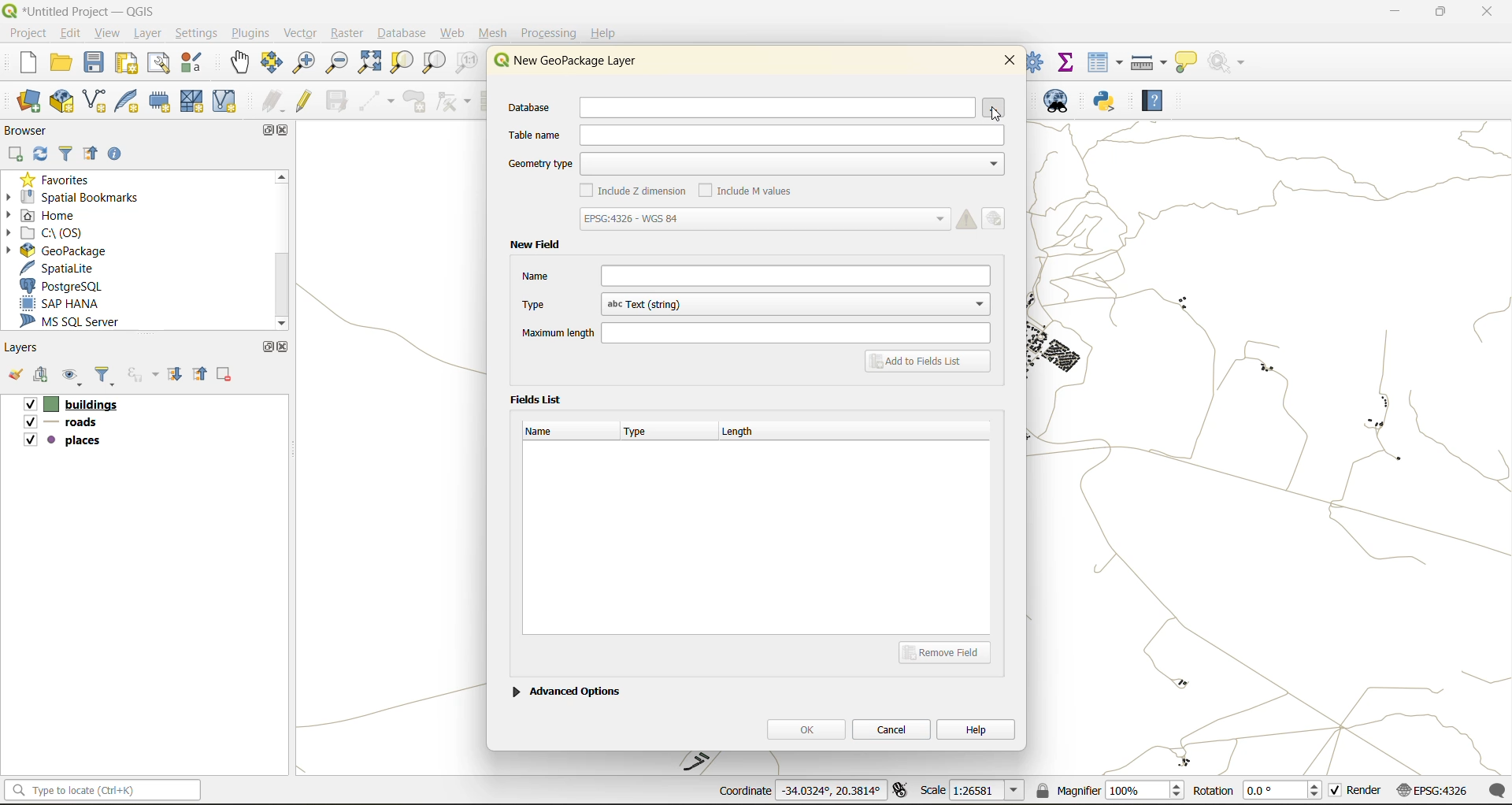 The width and height of the screenshot is (1512, 805). I want to click on toggle edits, so click(305, 101).